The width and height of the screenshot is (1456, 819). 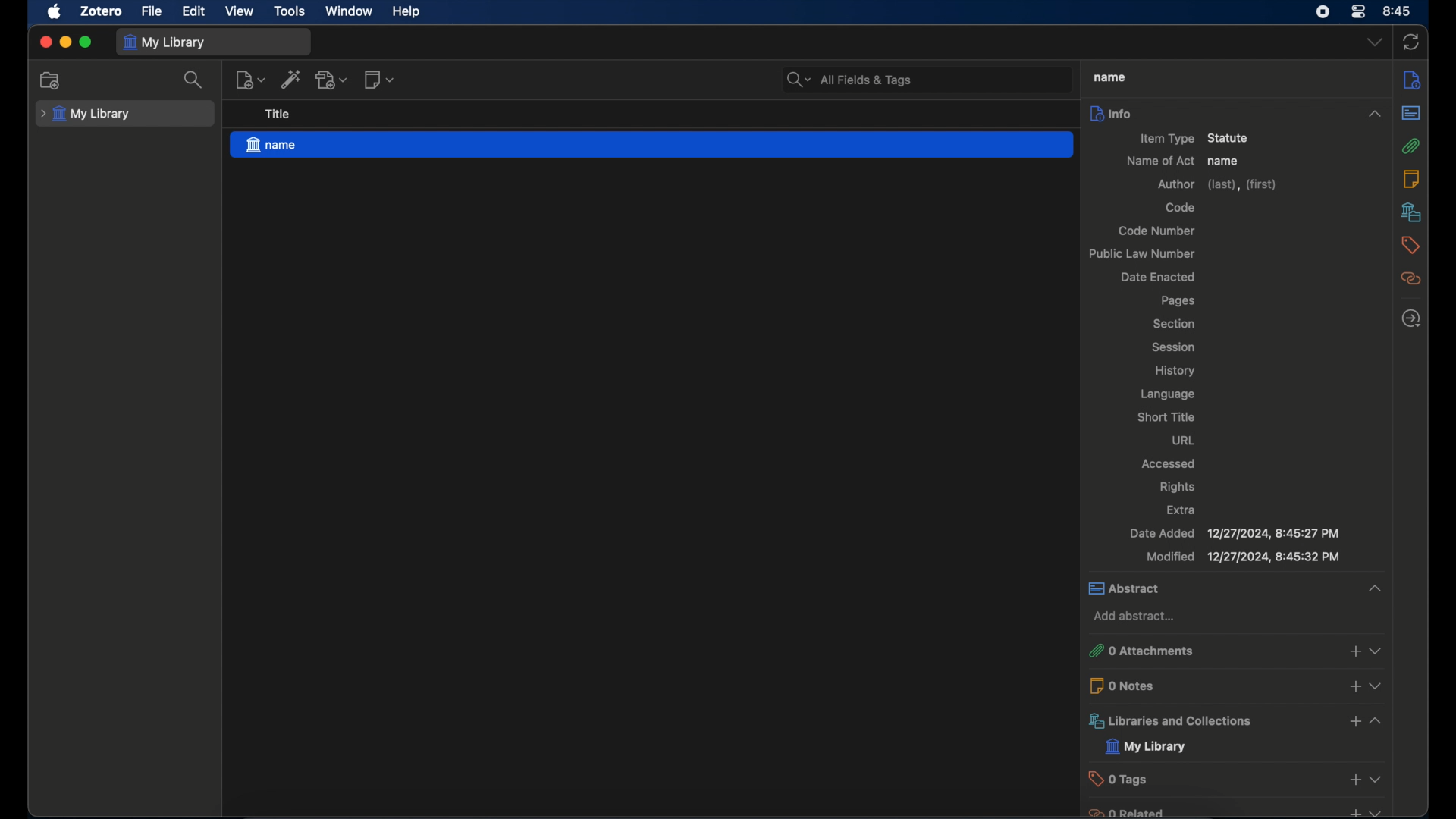 What do you see at coordinates (87, 43) in the screenshot?
I see `maximize` at bounding box center [87, 43].